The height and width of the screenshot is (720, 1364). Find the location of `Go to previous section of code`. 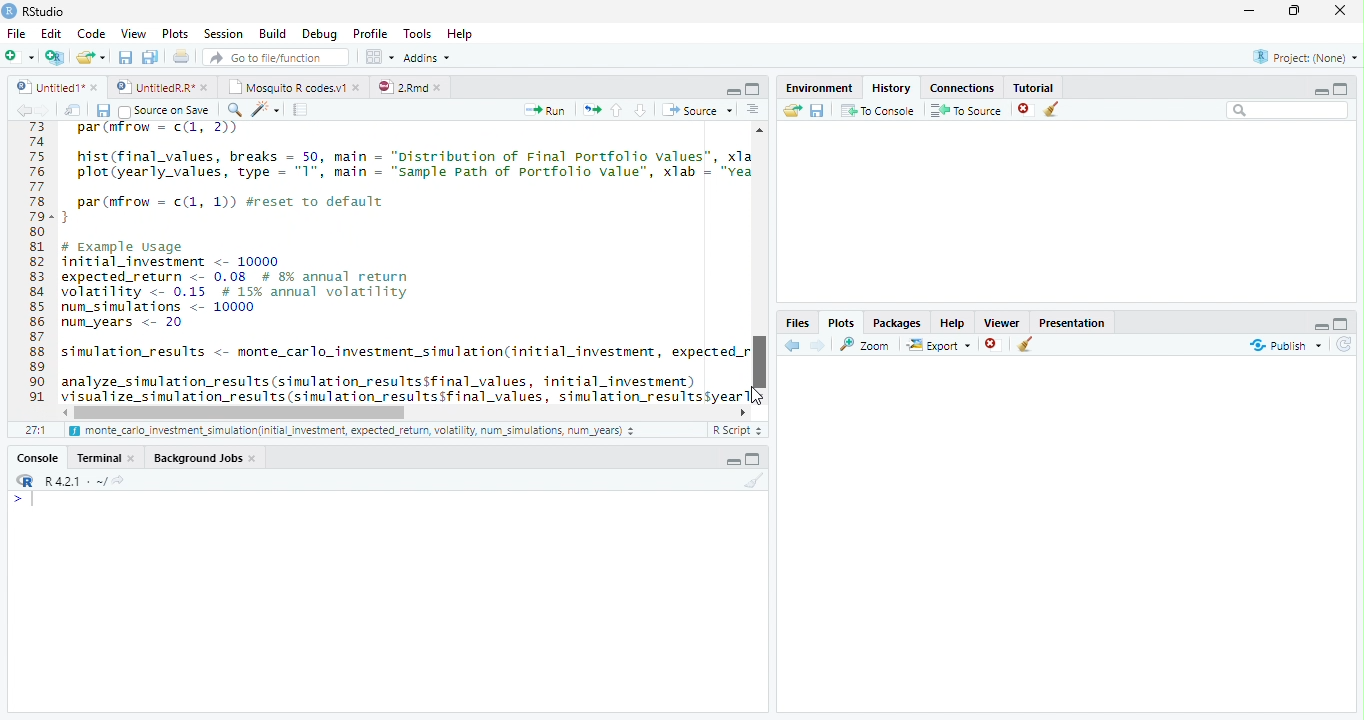

Go to previous section of code is located at coordinates (617, 112).